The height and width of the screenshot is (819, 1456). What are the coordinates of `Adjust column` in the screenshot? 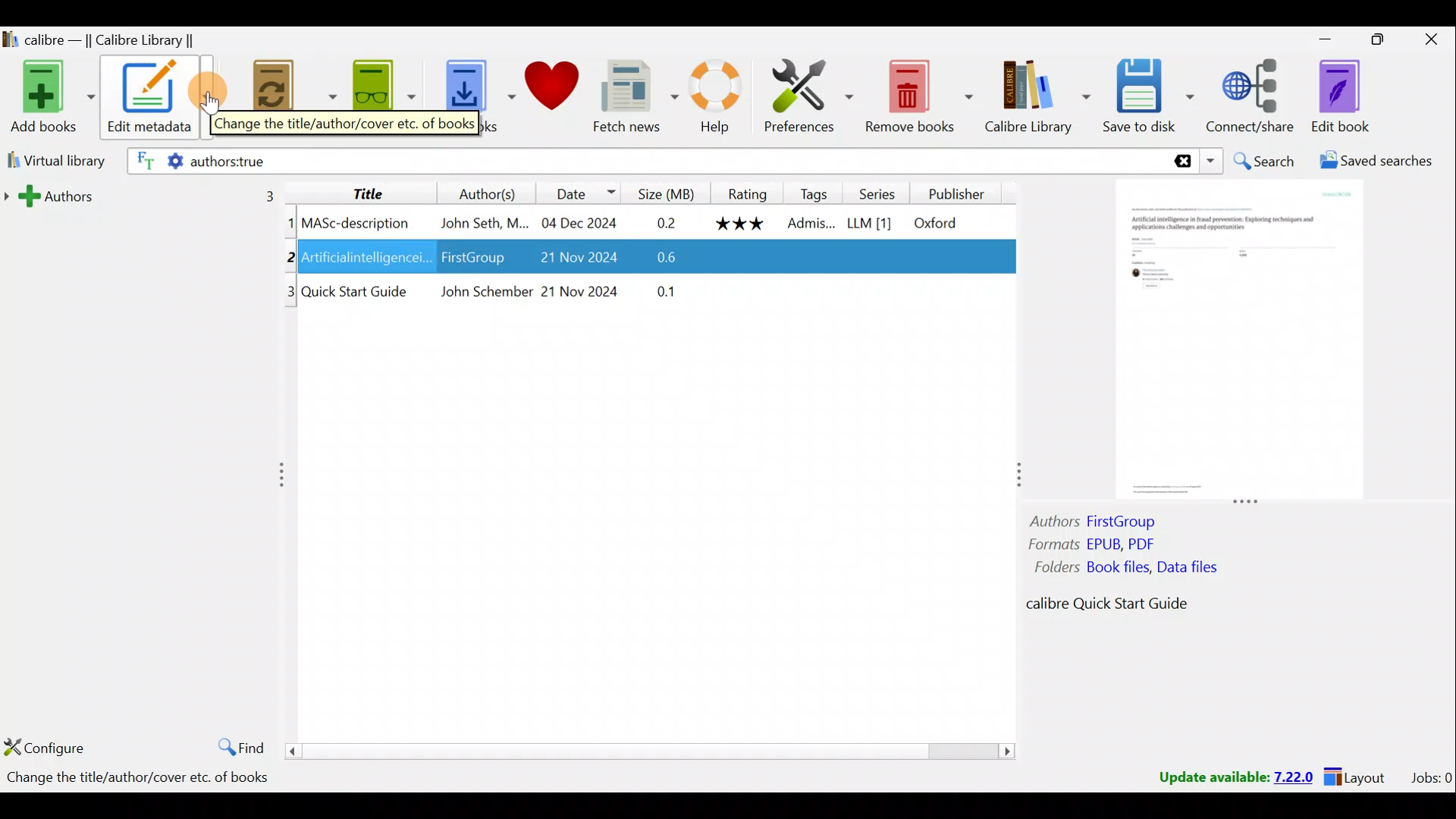 It's located at (287, 475).